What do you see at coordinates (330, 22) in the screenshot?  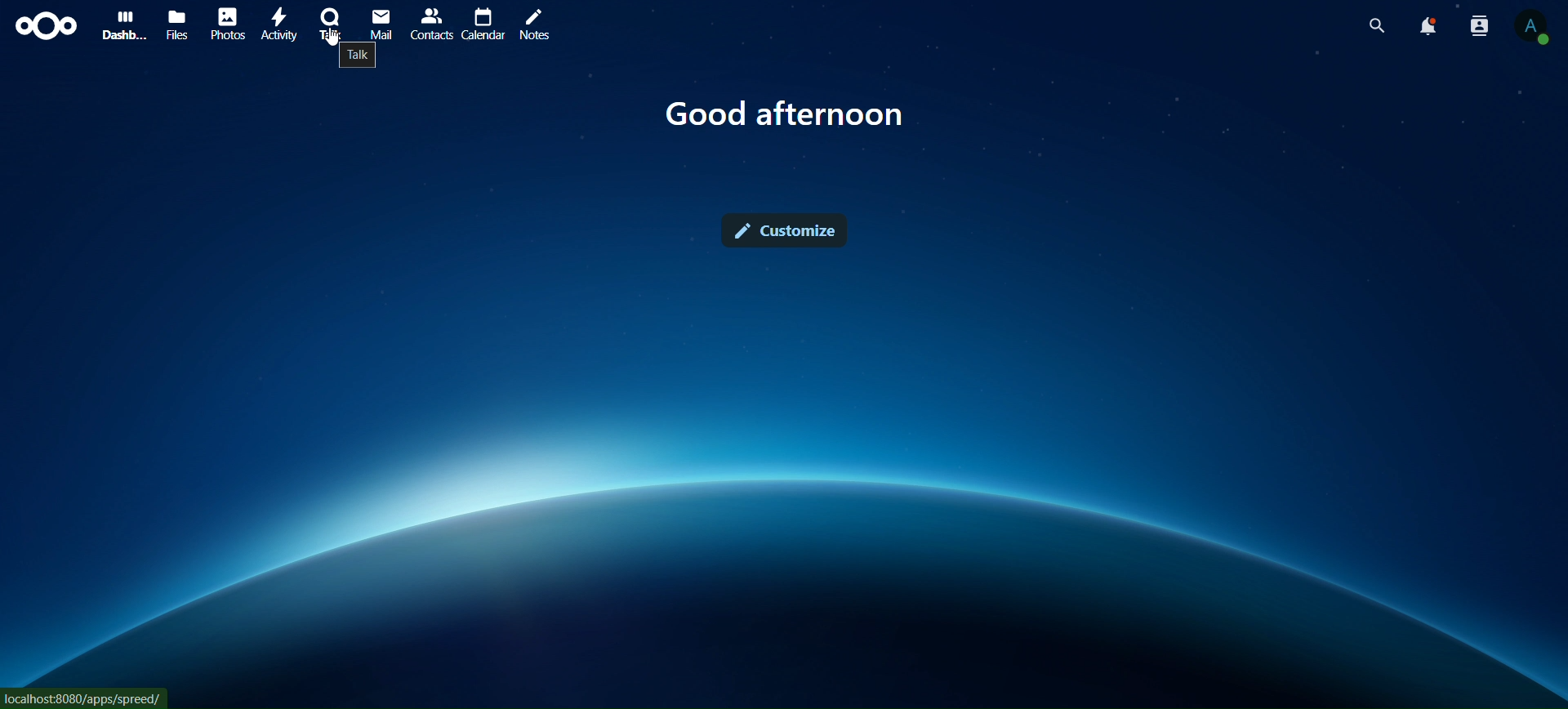 I see `talk` at bounding box center [330, 22].